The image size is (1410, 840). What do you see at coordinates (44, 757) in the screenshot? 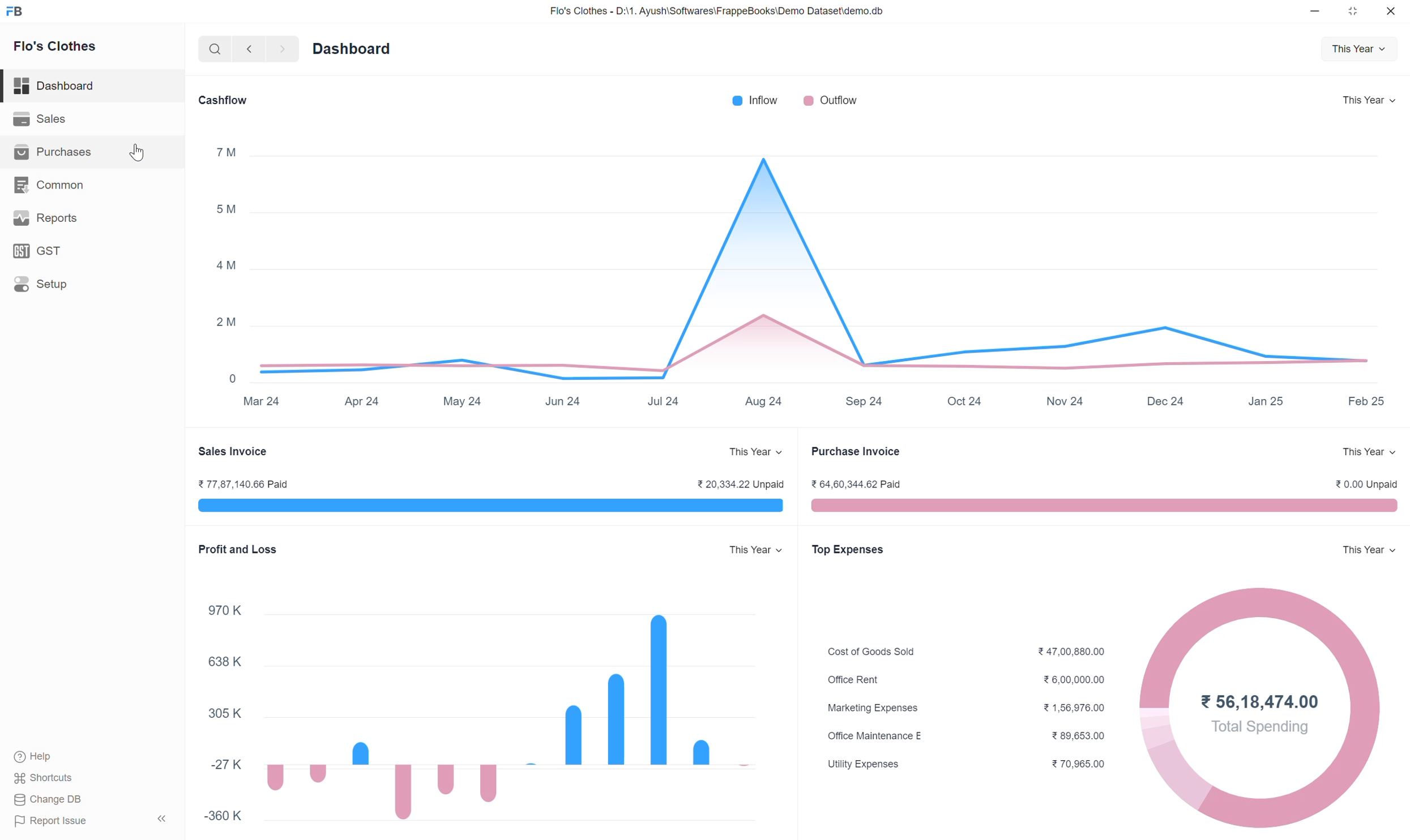
I see `Help` at bounding box center [44, 757].